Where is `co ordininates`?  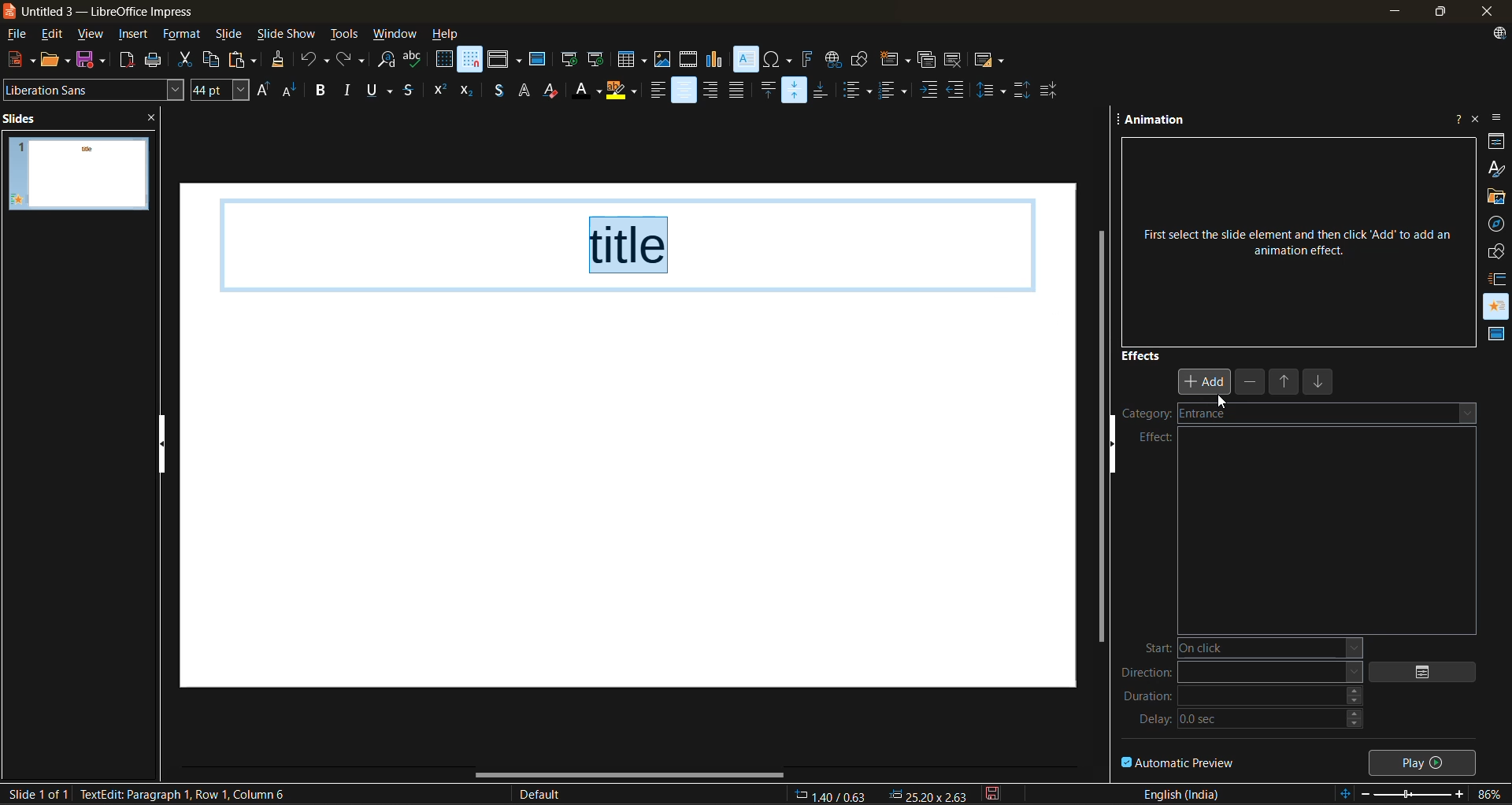
co ordininates is located at coordinates (881, 793).